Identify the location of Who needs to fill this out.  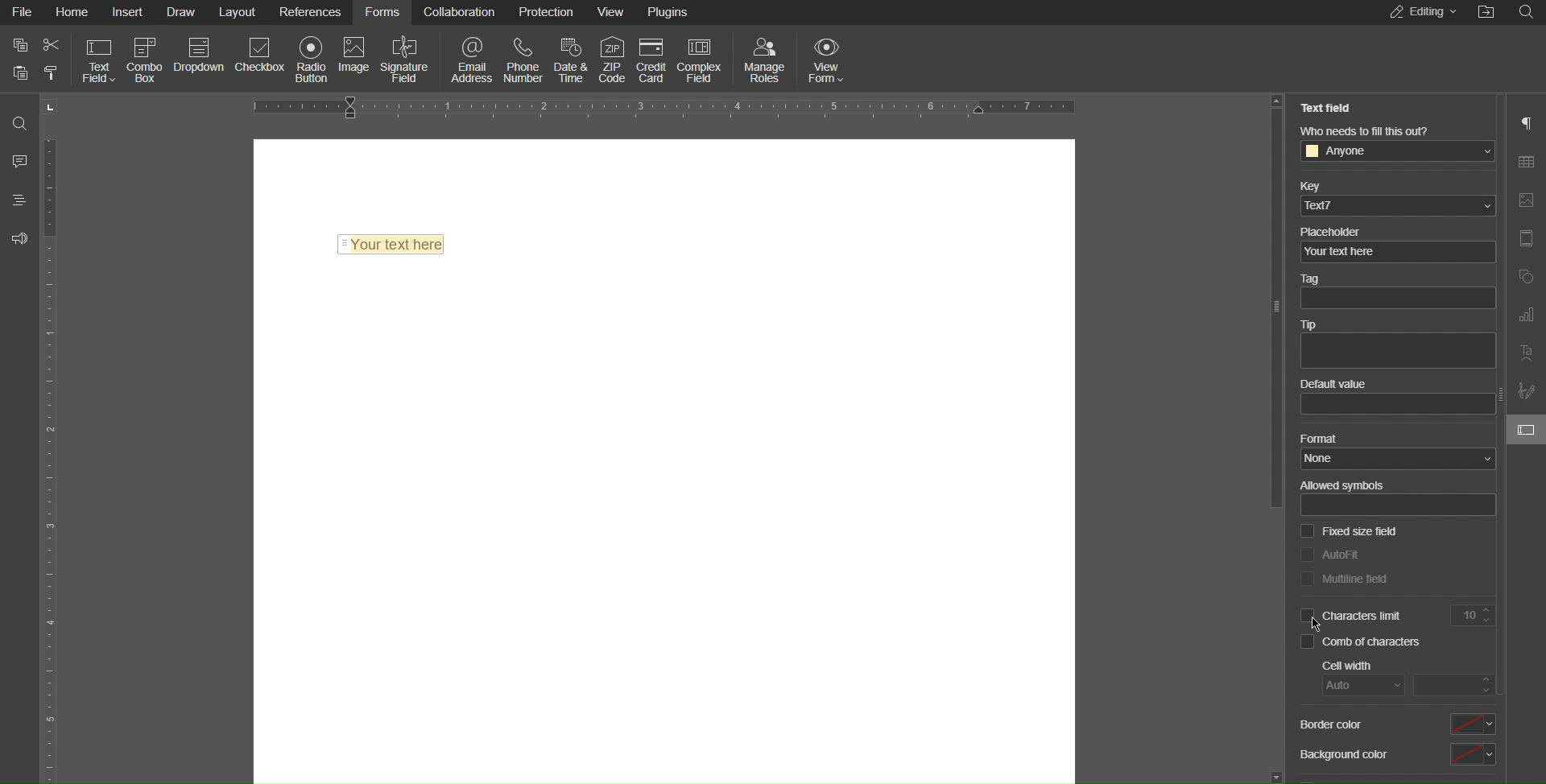
(1401, 143).